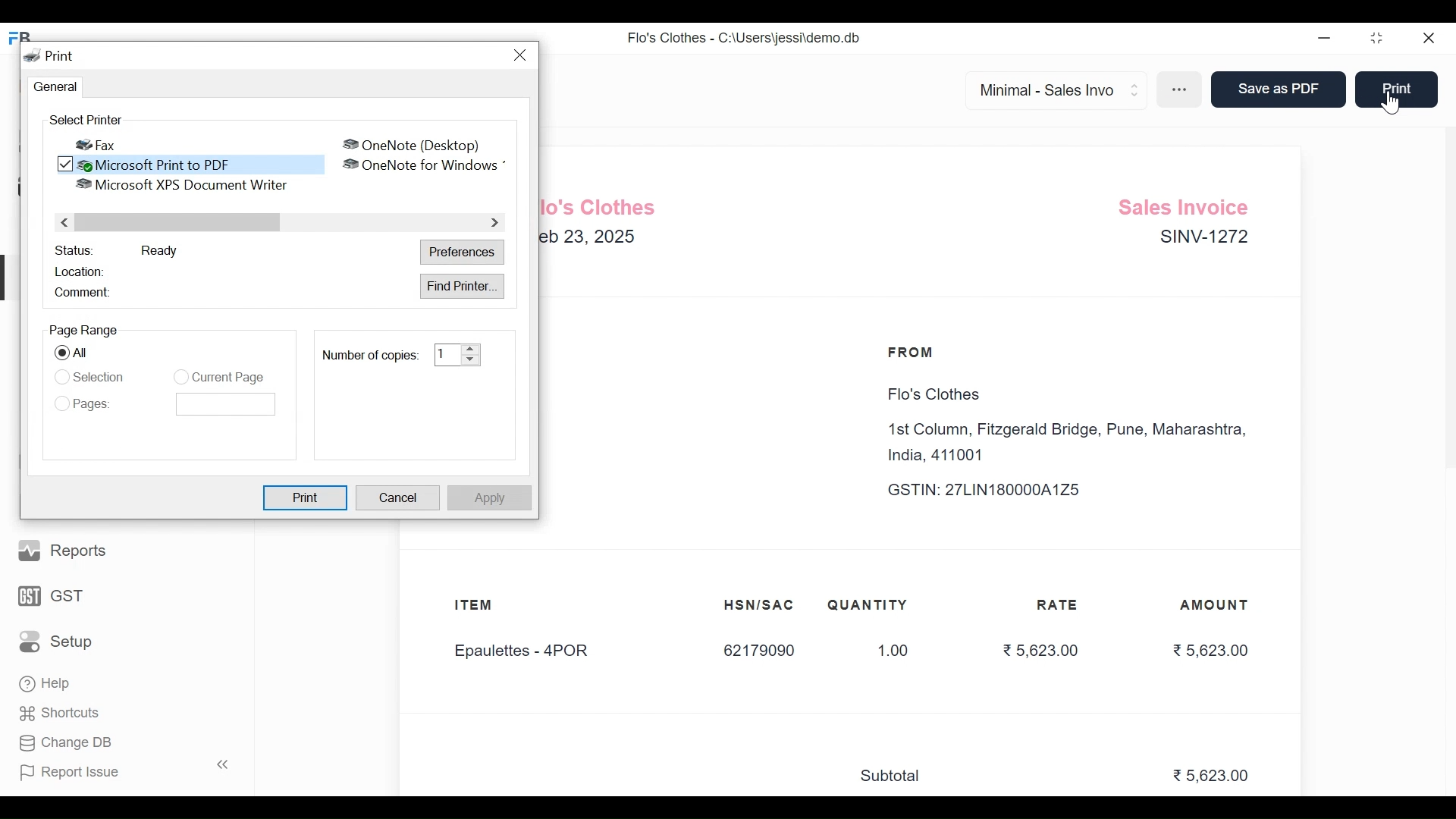 Image resolution: width=1456 pixels, height=819 pixels. I want to click on 1, so click(446, 354).